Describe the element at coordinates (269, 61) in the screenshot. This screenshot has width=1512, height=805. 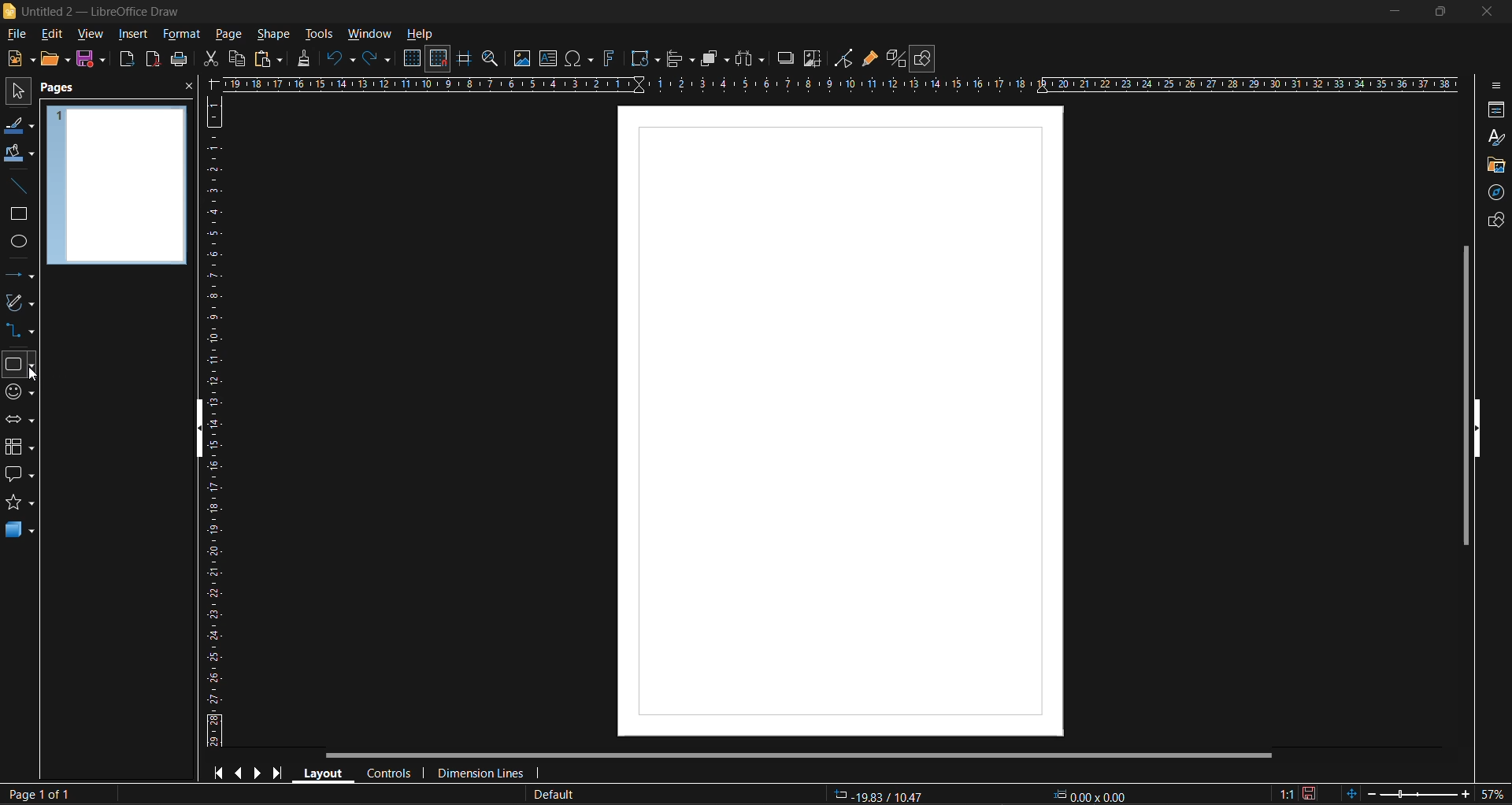
I see `paste` at that location.